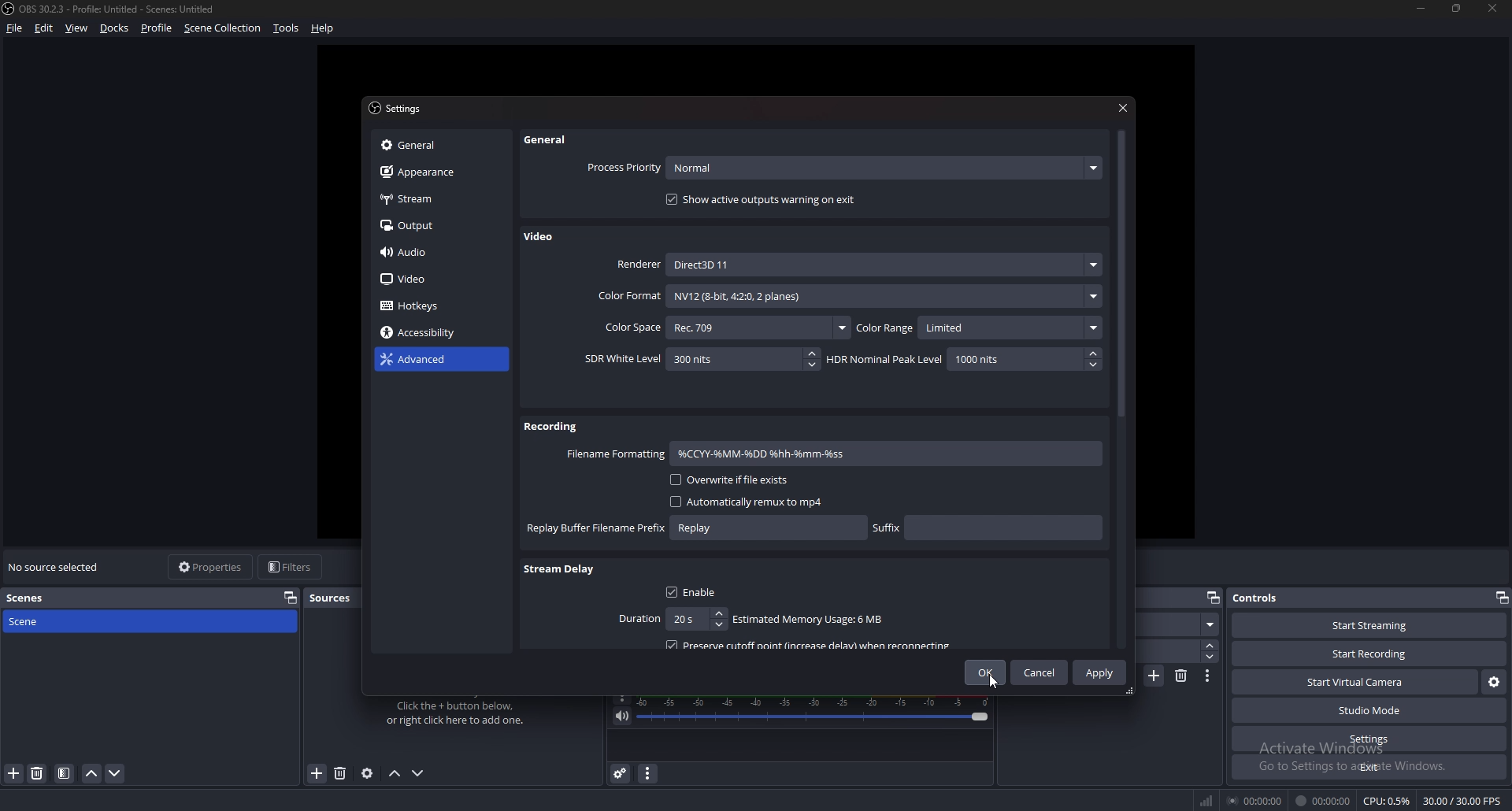 Image resolution: width=1512 pixels, height=811 pixels. I want to click on no sources selected, so click(57, 567).